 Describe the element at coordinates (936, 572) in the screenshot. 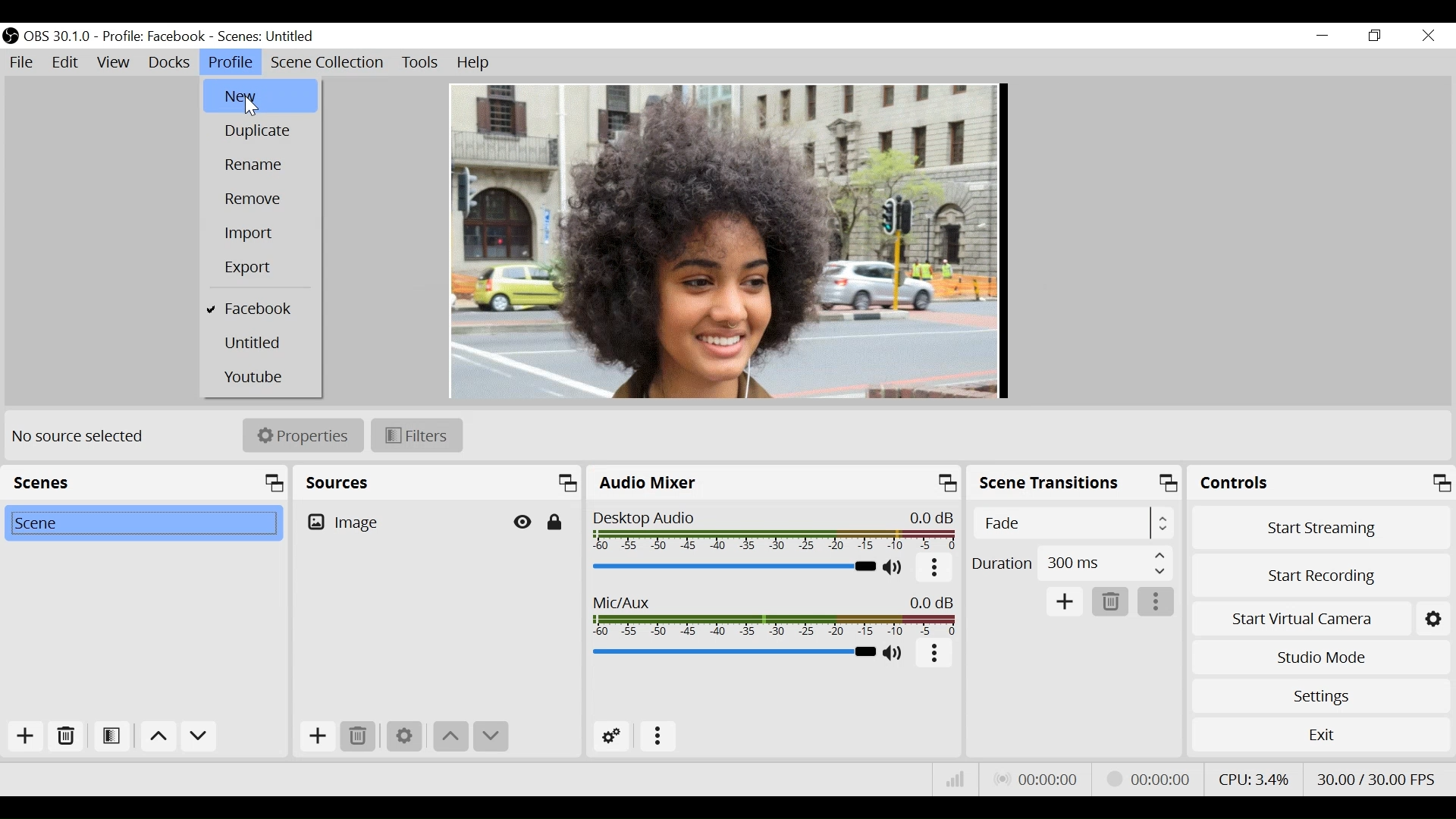

I see `More Options` at that location.